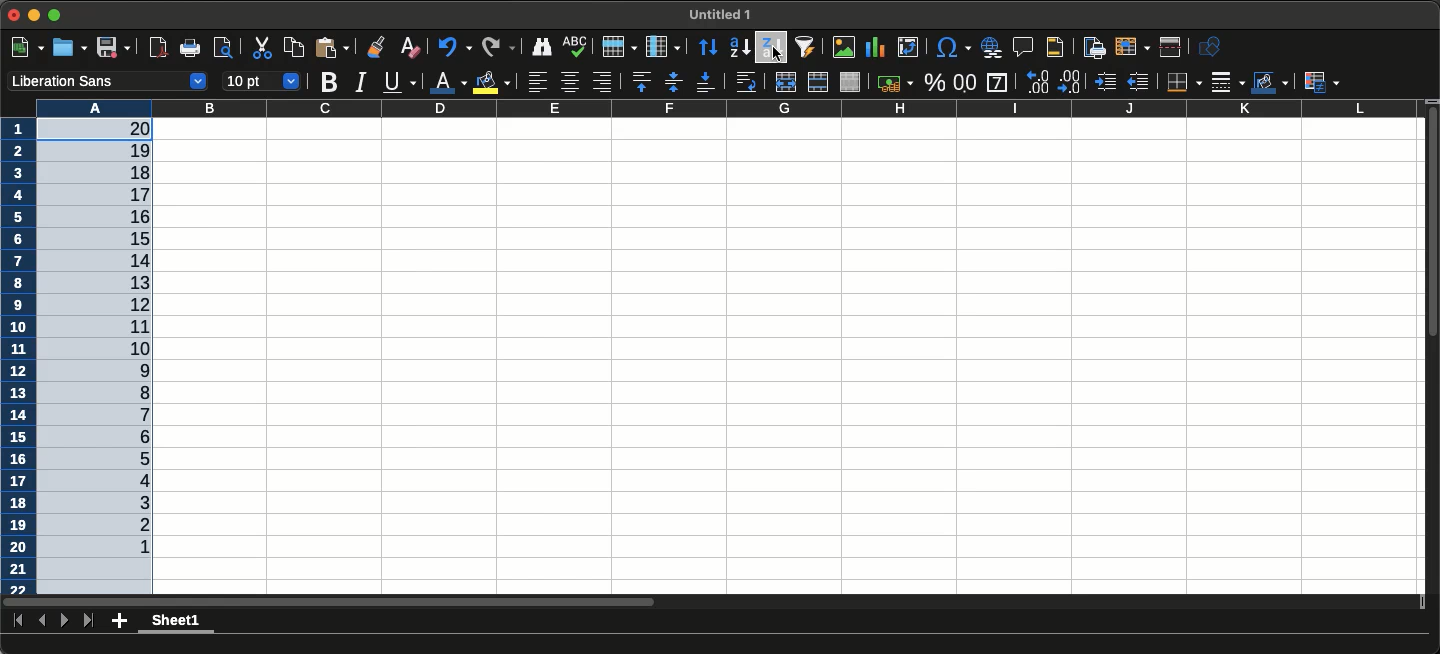  Describe the element at coordinates (1091, 47) in the screenshot. I see `Define print area` at that location.